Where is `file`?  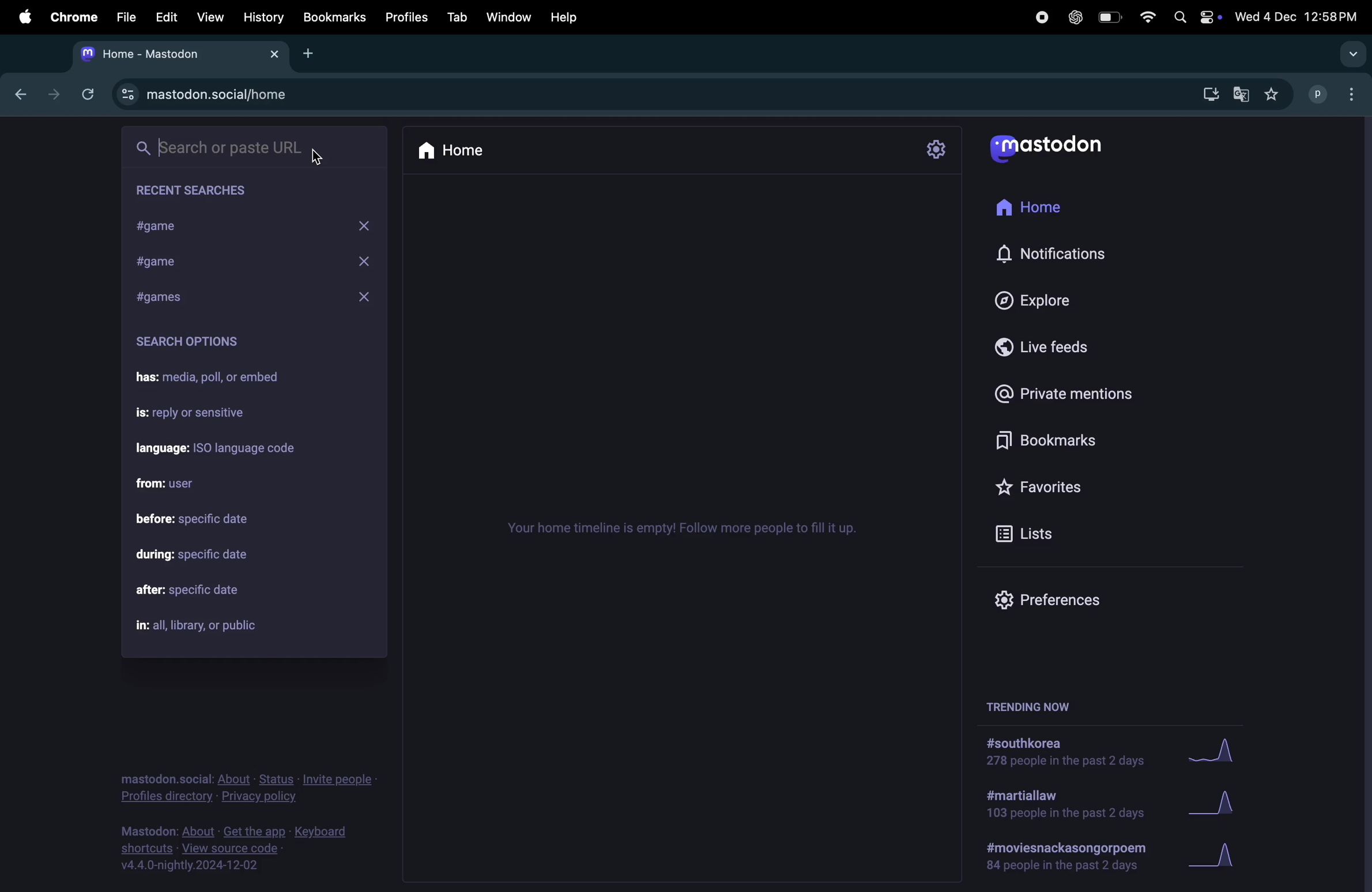
file is located at coordinates (125, 16).